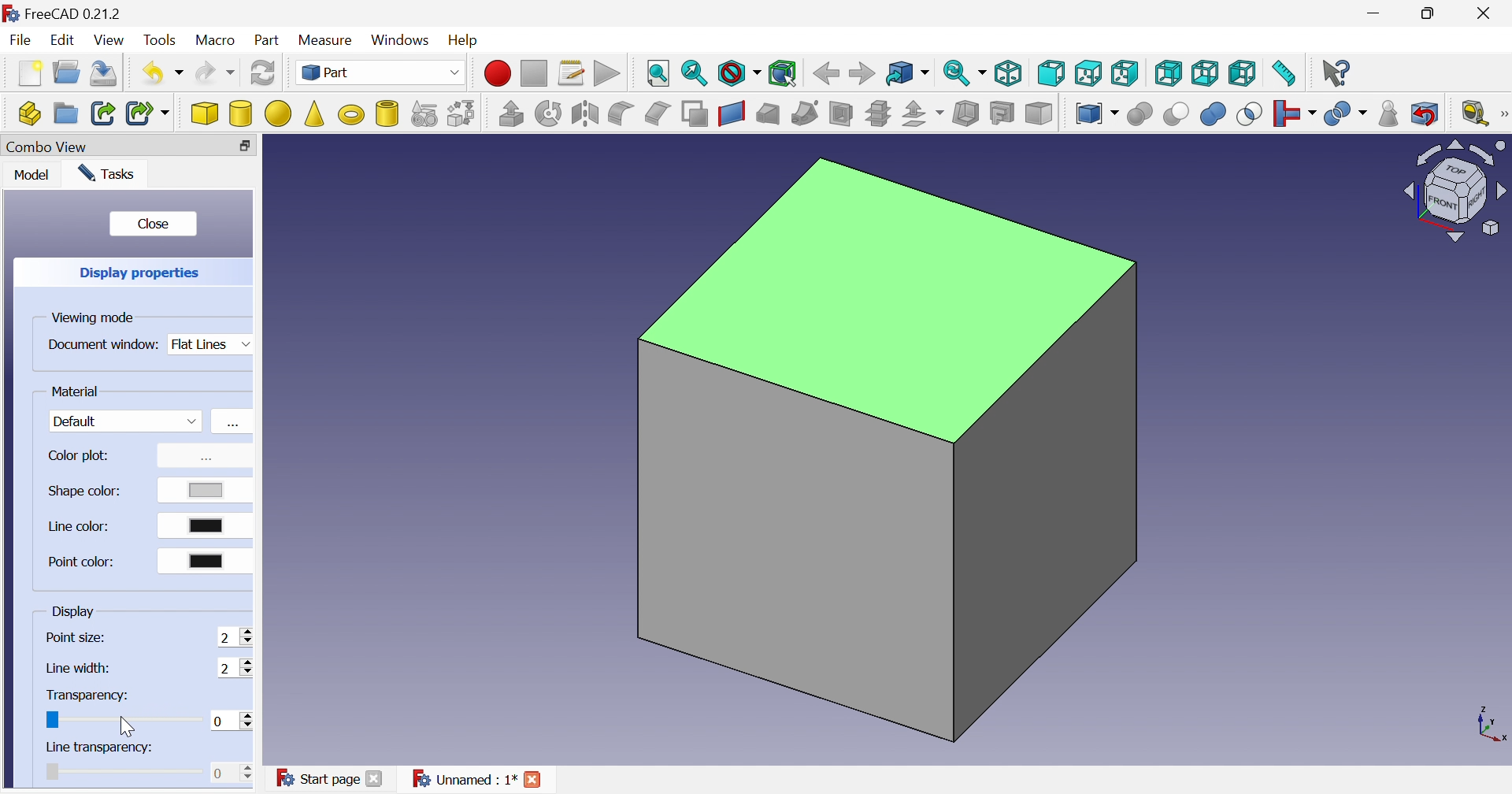 This screenshot has height=794, width=1512. Describe the element at coordinates (1338, 75) in the screenshot. I see `What's this?` at that location.